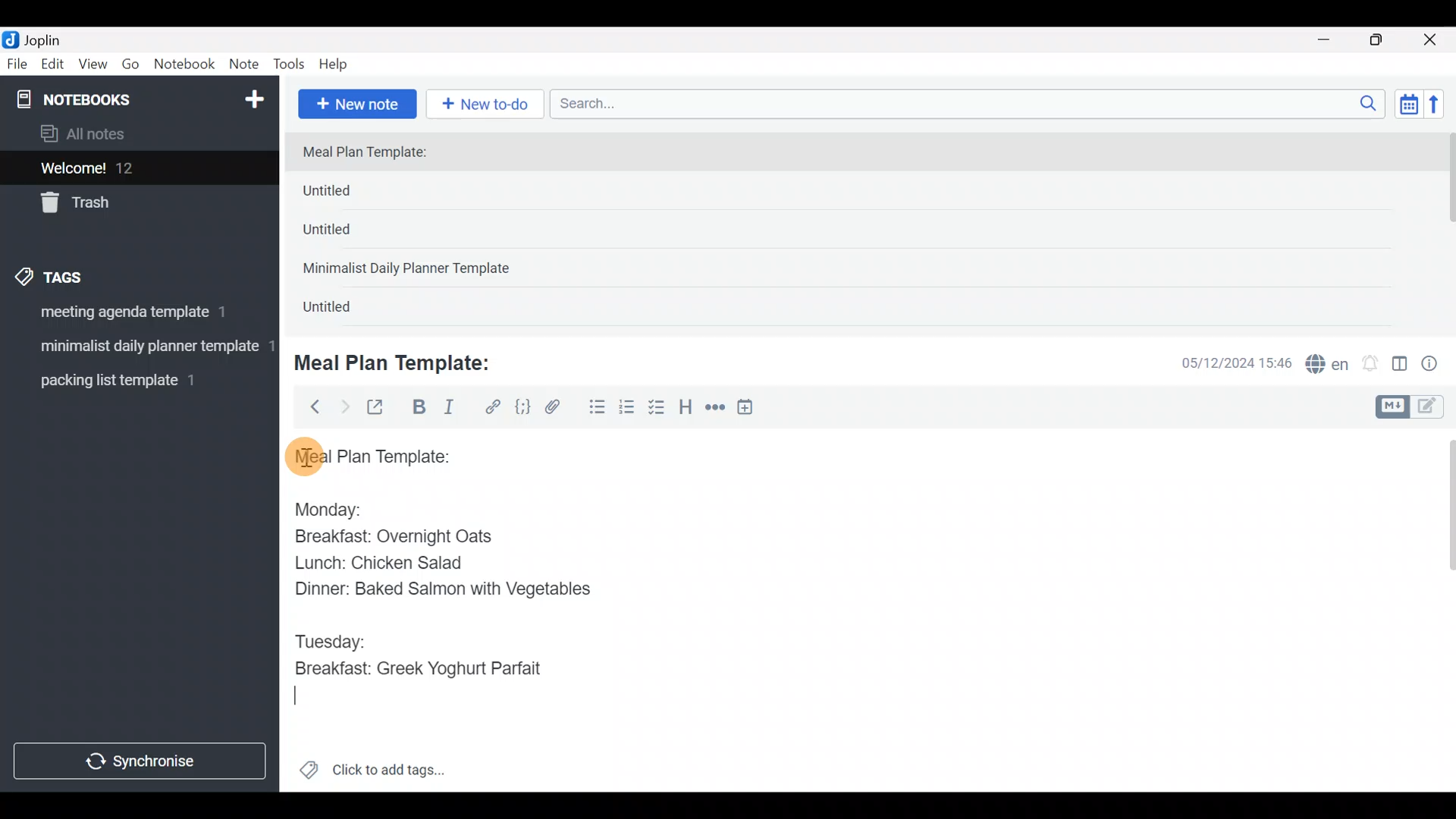 The image size is (1456, 819). What do you see at coordinates (107, 99) in the screenshot?
I see `Notebooks` at bounding box center [107, 99].